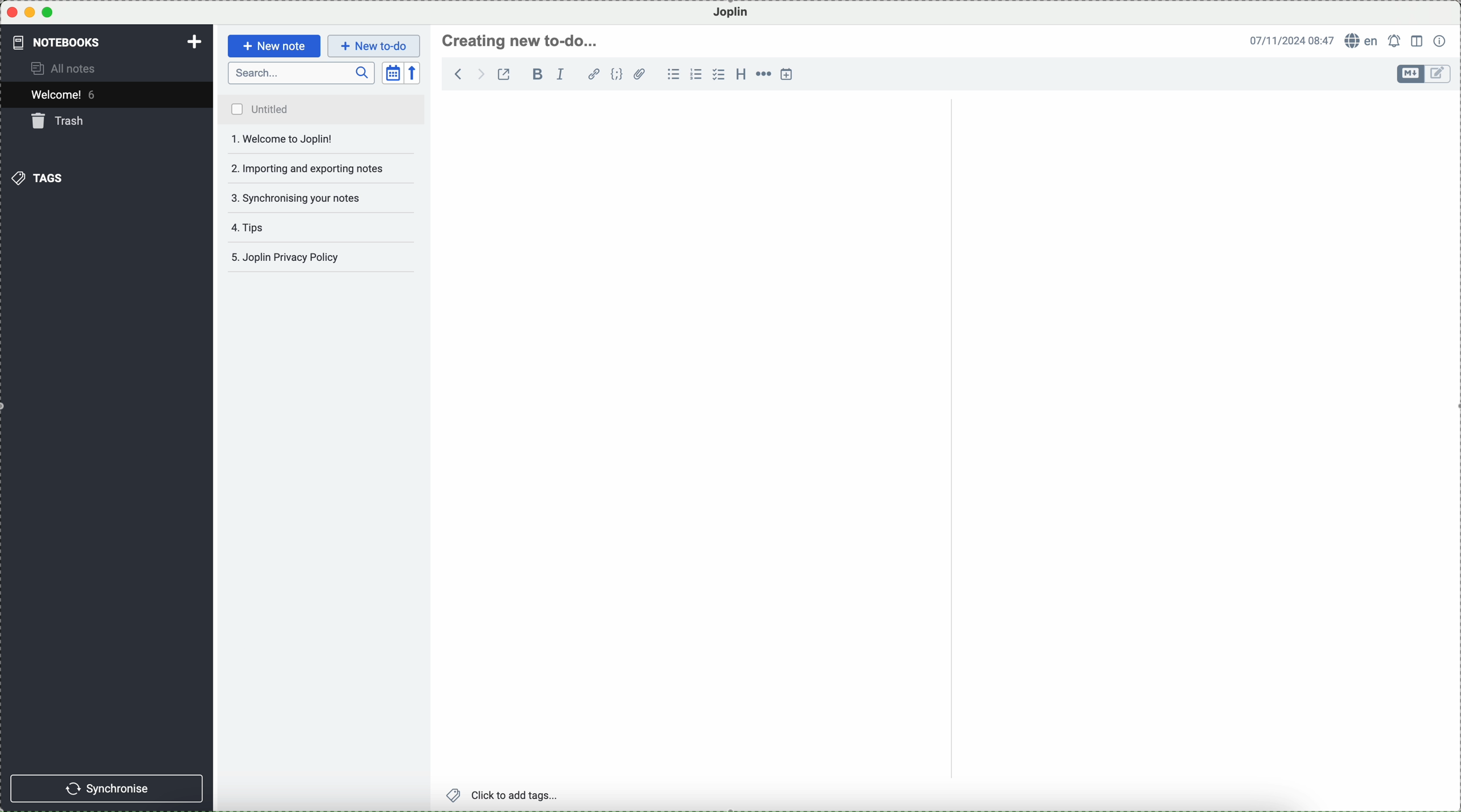 The height and width of the screenshot is (812, 1461). Describe the element at coordinates (320, 109) in the screenshot. I see `untitled` at that location.